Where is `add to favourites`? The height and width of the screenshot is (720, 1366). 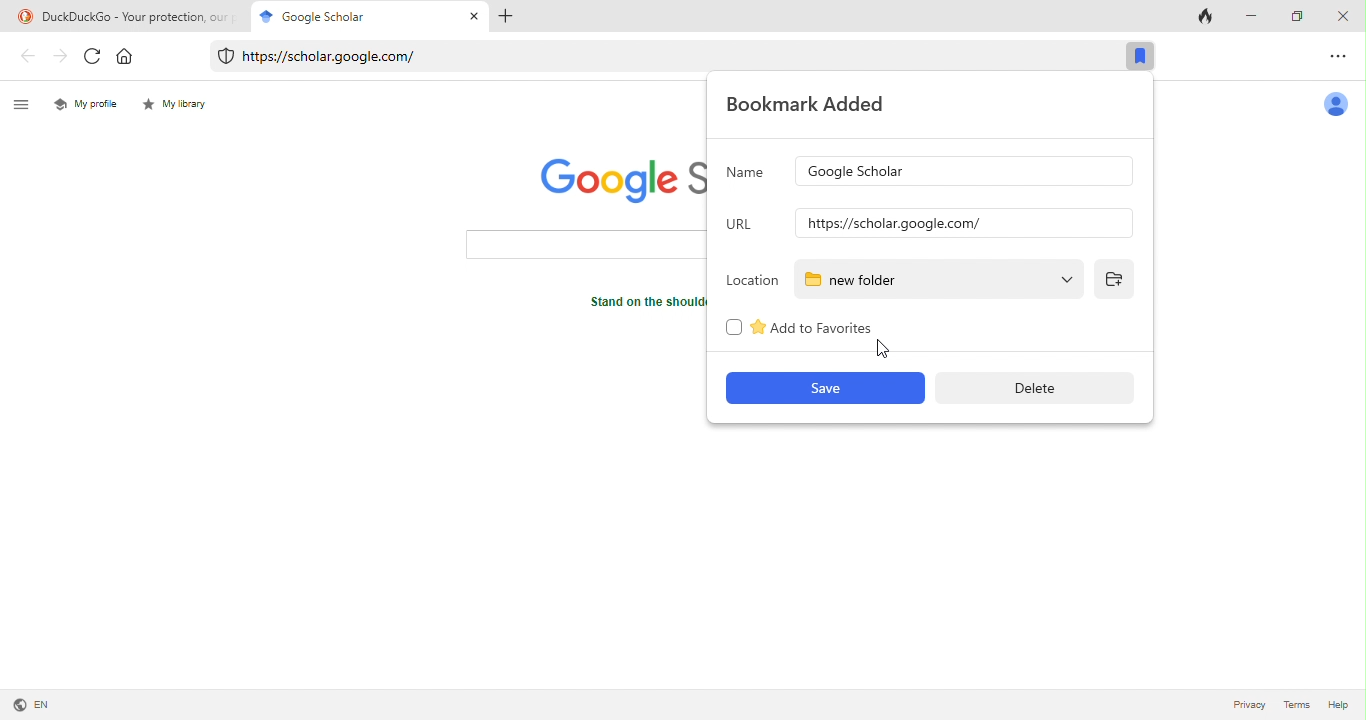 add to favourites is located at coordinates (804, 327).